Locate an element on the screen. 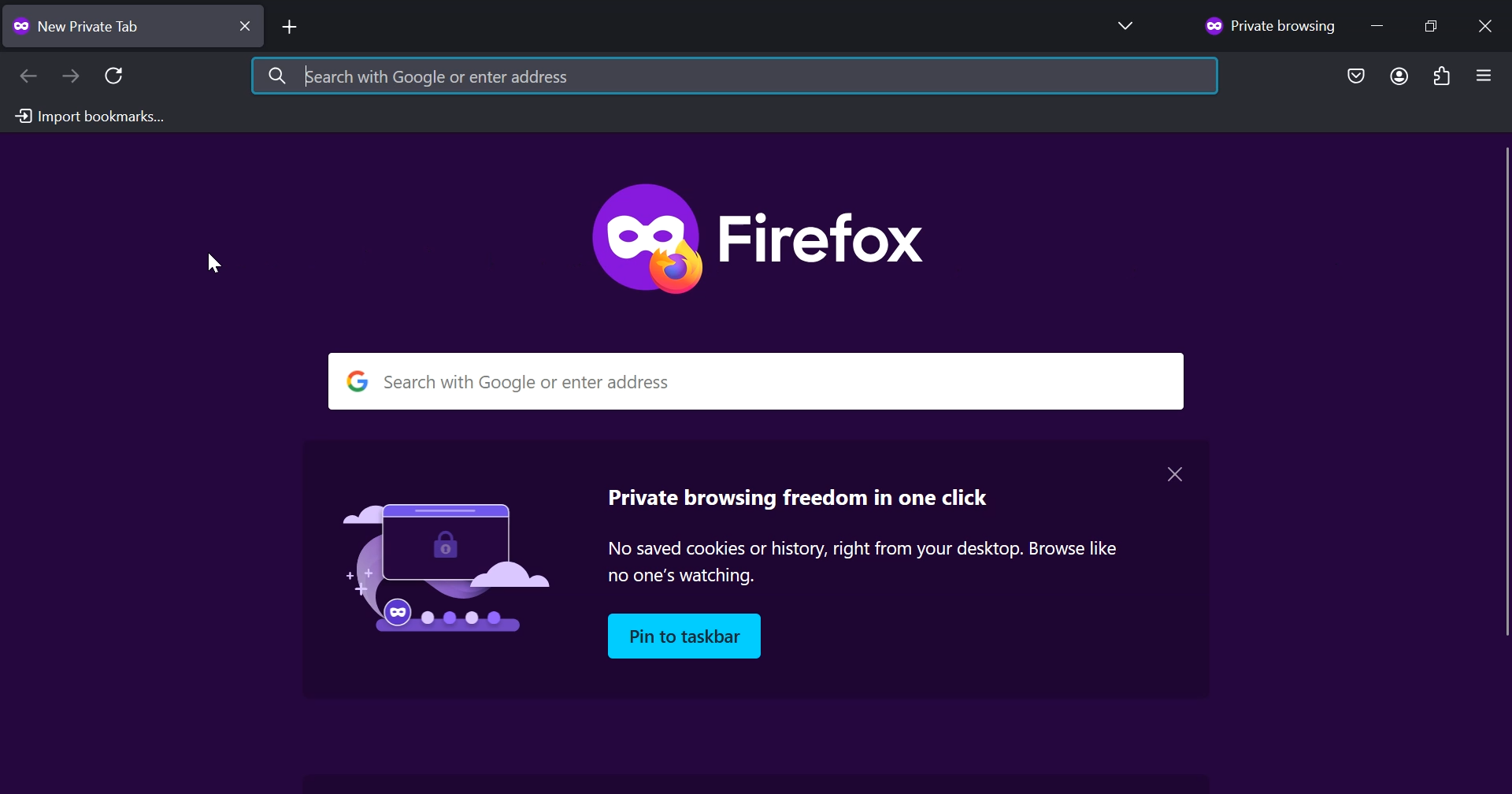  Extensions is located at coordinates (1441, 76).